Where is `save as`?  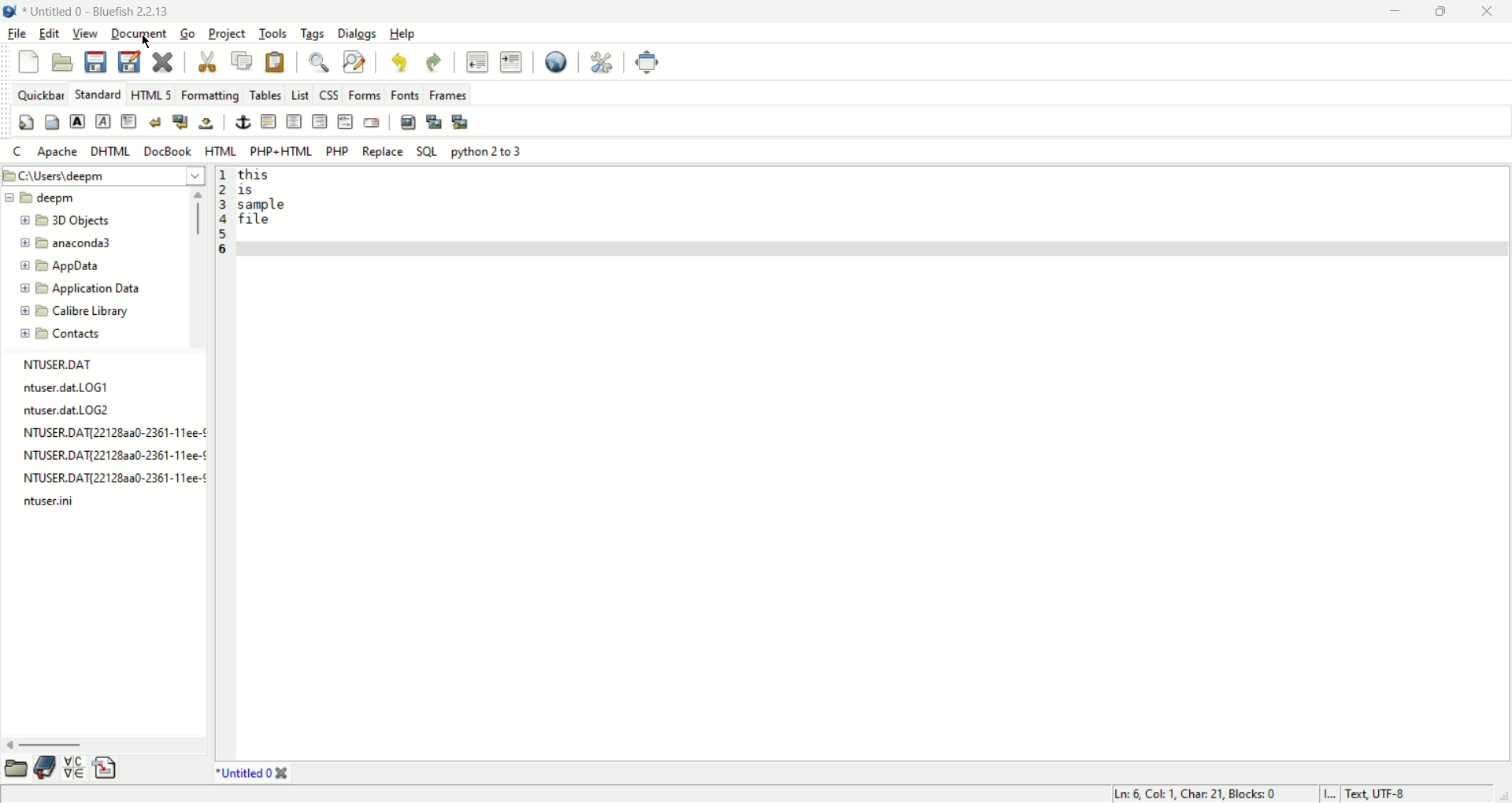 save as is located at coordinates (129, 61).